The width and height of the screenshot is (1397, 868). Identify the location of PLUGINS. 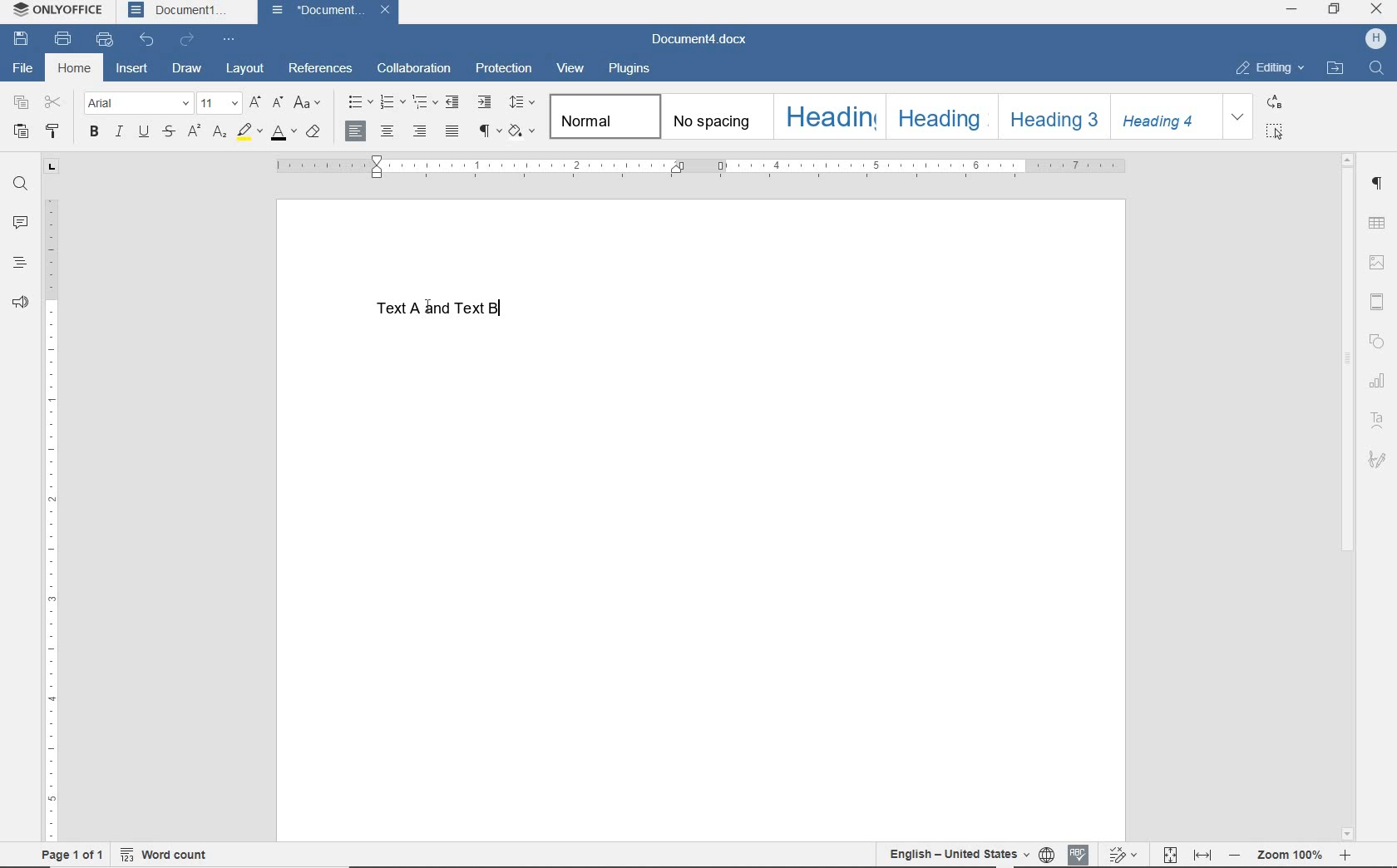
(629, 70).